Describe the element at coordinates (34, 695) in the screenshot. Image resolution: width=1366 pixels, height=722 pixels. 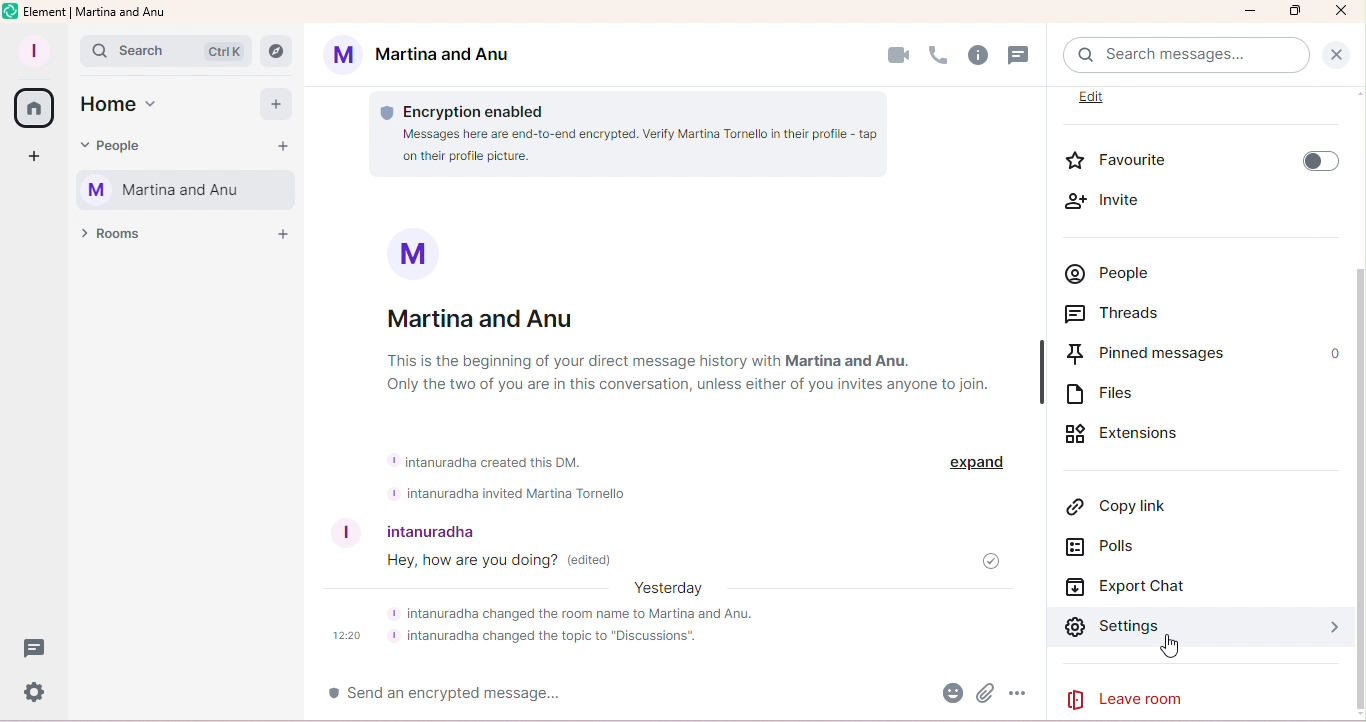
I see `Quick settings` at that location.